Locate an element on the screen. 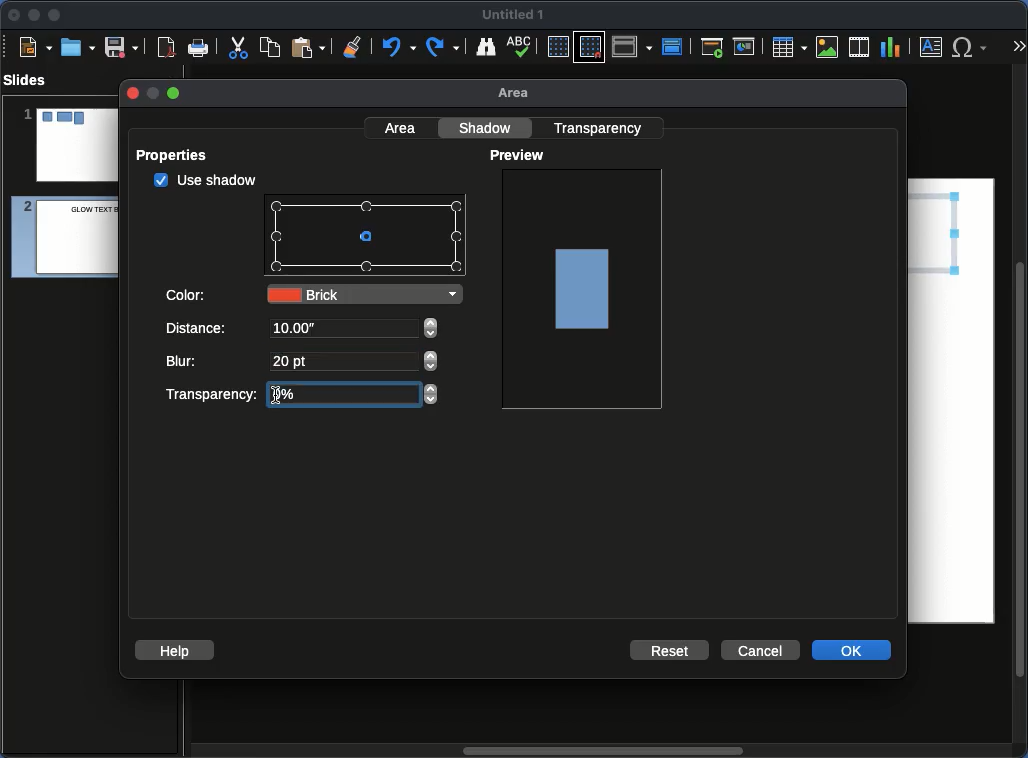  Master slide is located at coordinates (675, 46).